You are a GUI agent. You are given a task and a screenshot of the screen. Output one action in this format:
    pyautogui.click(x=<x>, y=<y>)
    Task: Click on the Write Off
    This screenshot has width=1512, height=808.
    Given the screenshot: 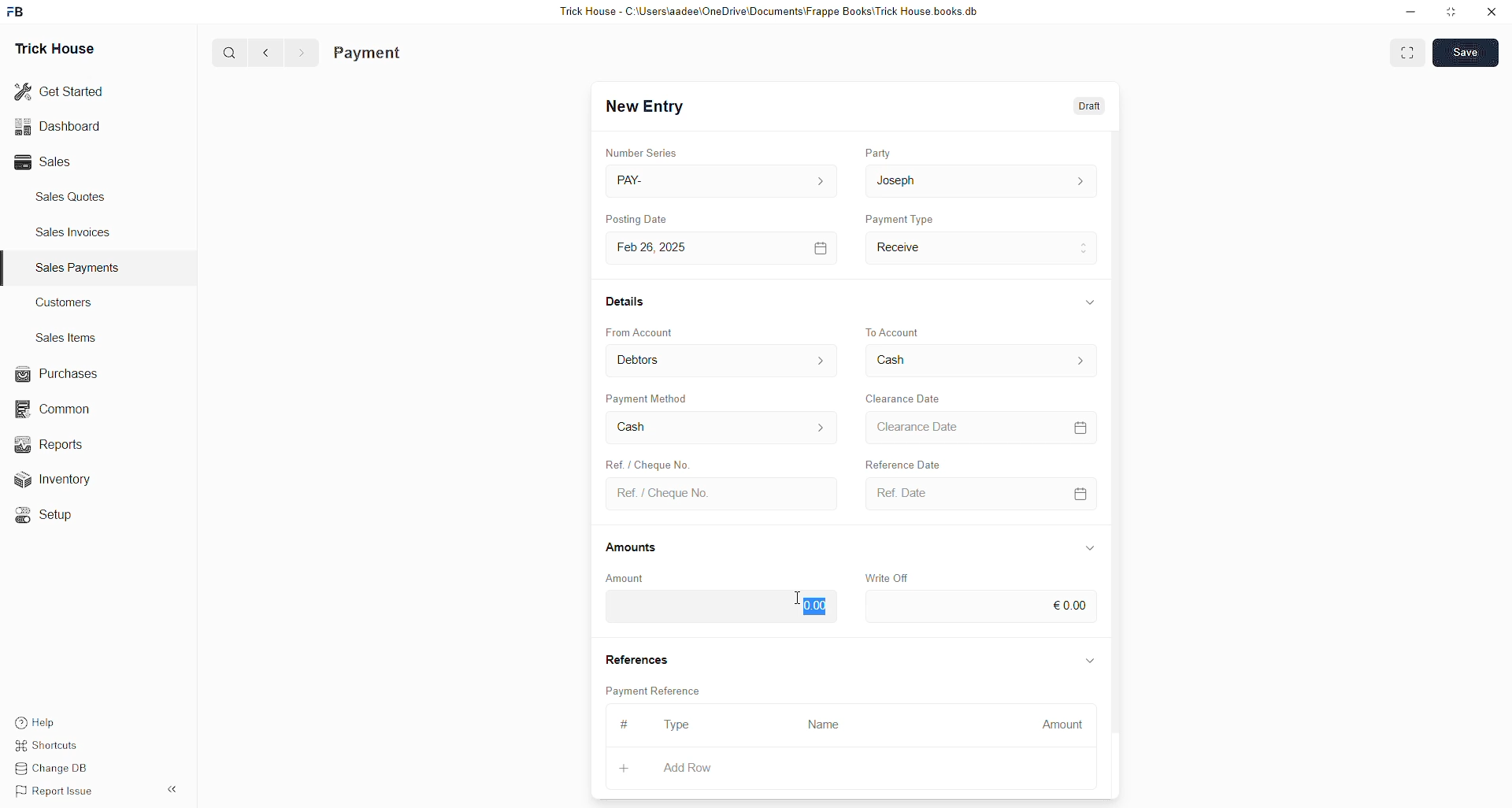 What is the action you would take?
    pyautogui.click(x=885, y=578)
    